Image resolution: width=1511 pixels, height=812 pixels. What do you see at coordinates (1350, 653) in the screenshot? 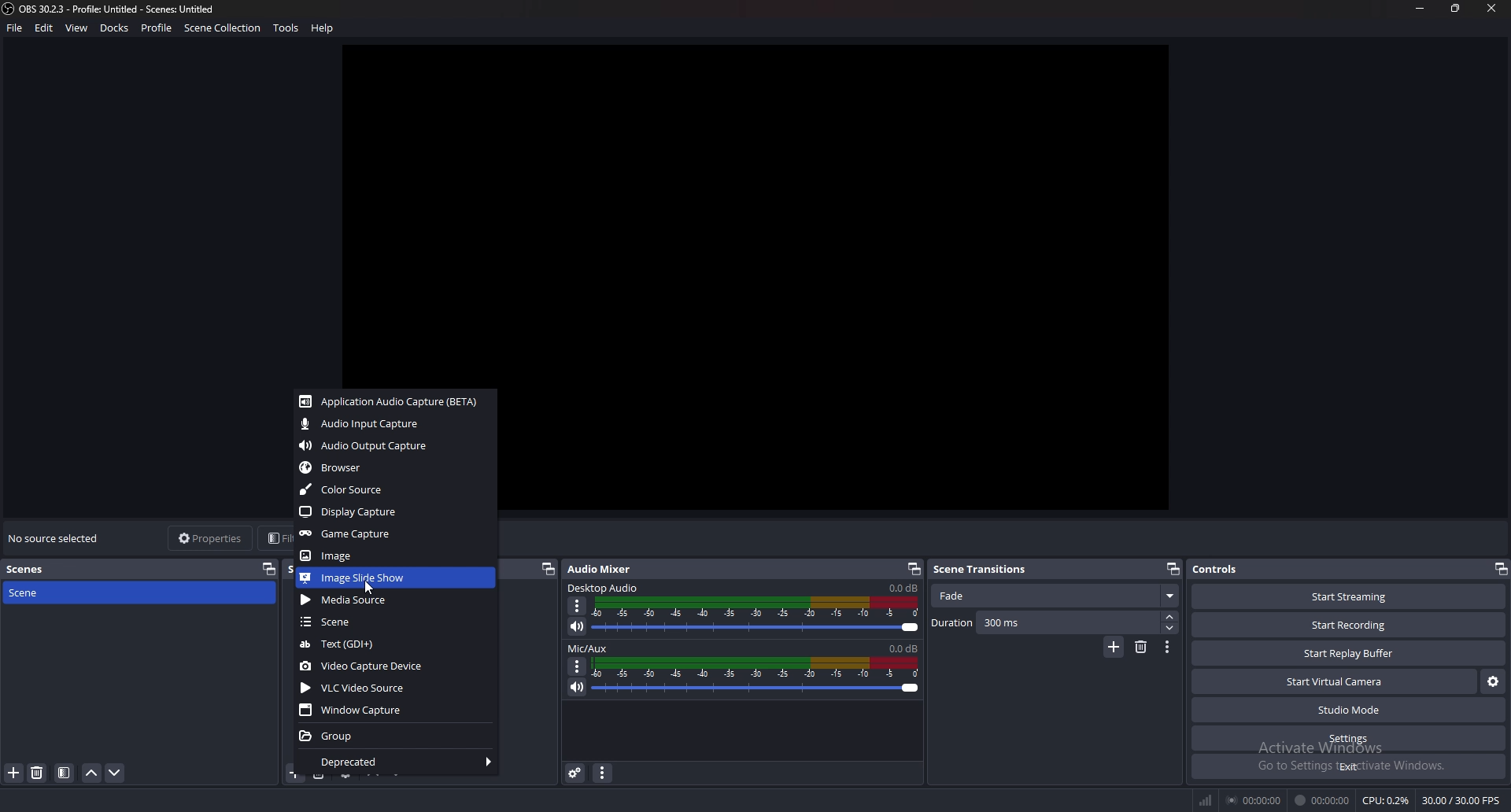
I see `start replay buffer` at bounding box center [1350, 653].